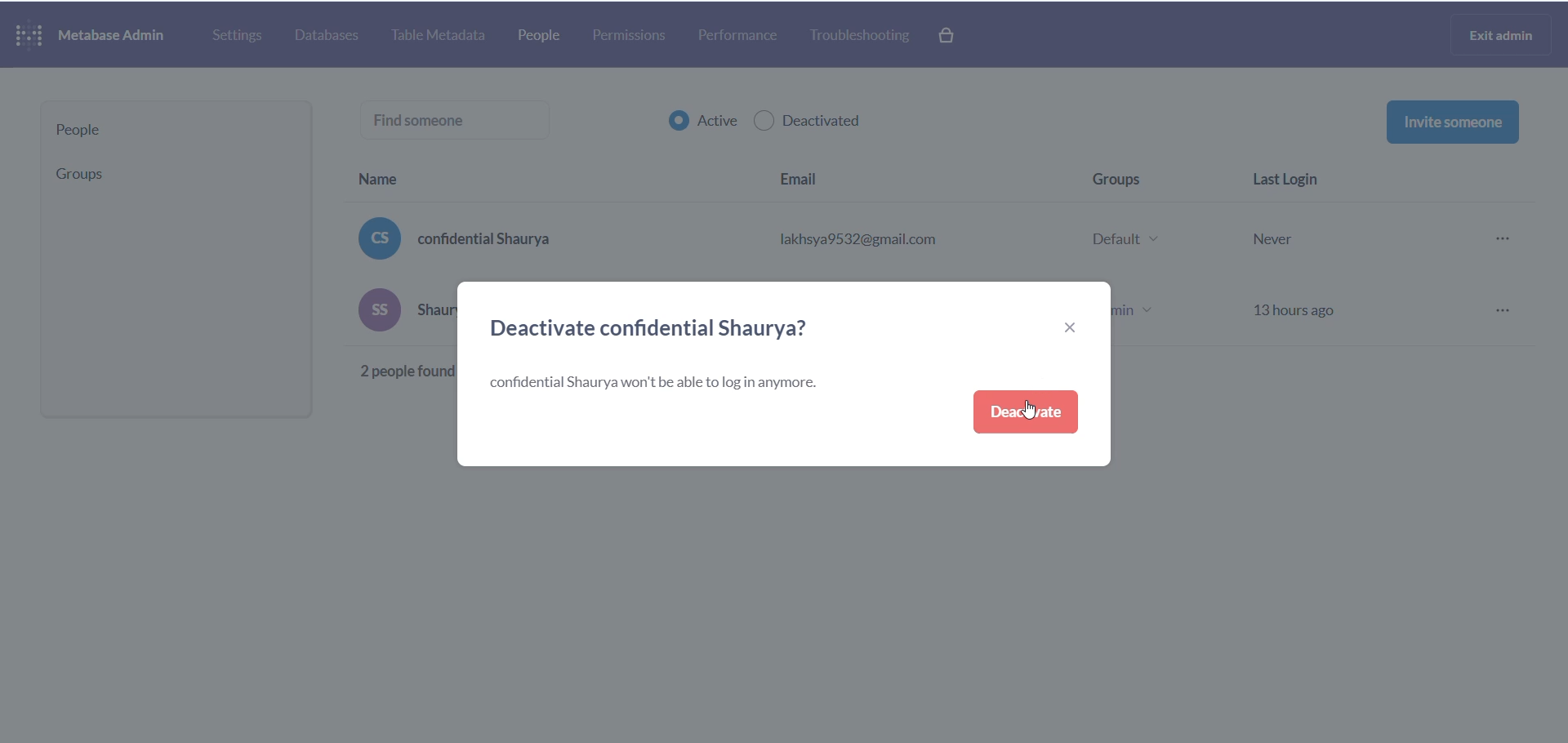  What do you see at coordinates (239, 34) in the screenshot?
I see `settings` at bounding box center [239, 34].